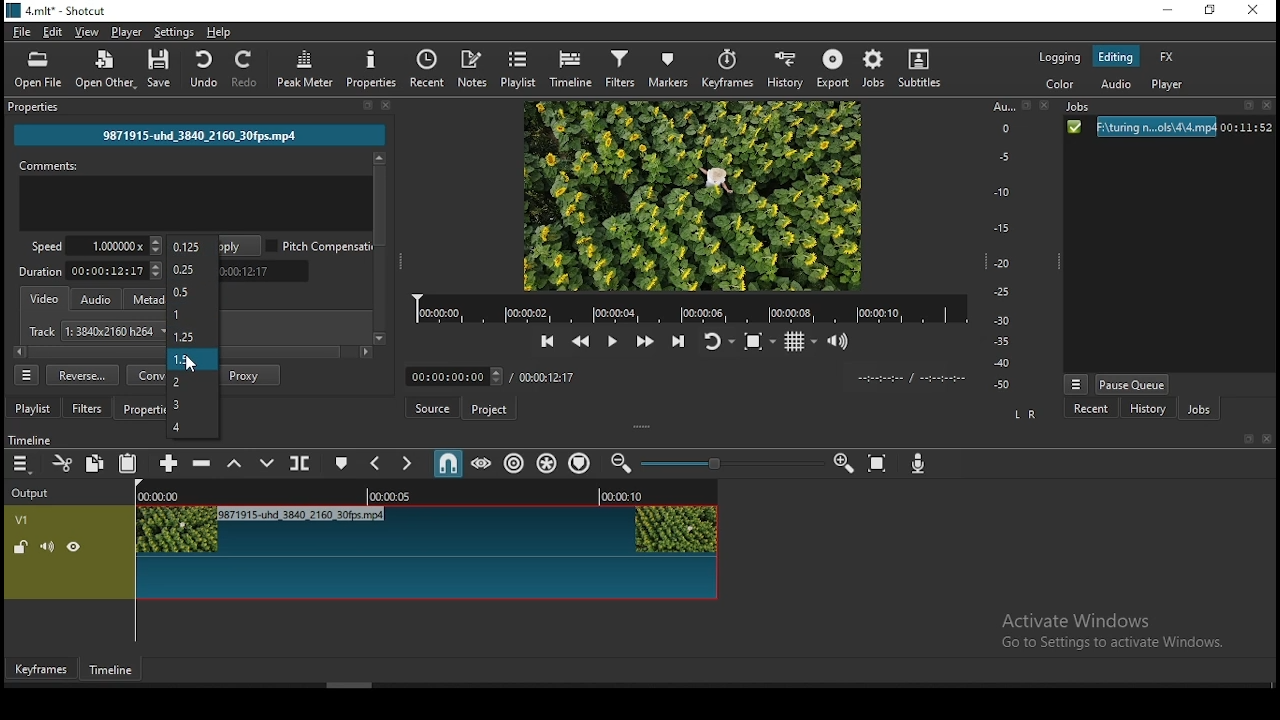 The image size is (1280, 720). What do you see at coordinates (876, 462) in the screenshot?
I see `zoom timeline to fit` at bounding box center [876, 462].